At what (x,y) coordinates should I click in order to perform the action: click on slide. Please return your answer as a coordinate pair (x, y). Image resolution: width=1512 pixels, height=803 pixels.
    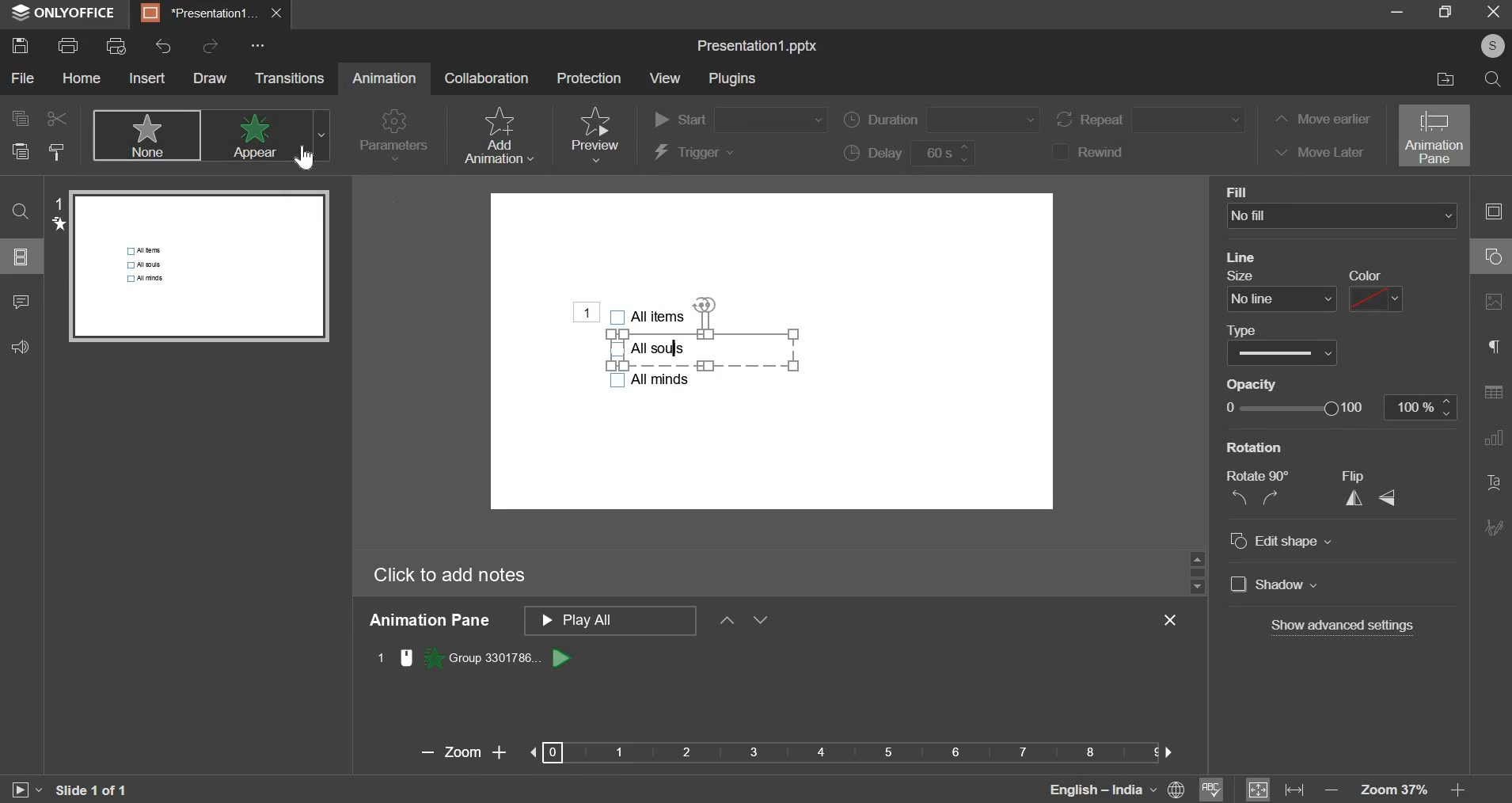
    Looking at the image, I should click on (23, 257).